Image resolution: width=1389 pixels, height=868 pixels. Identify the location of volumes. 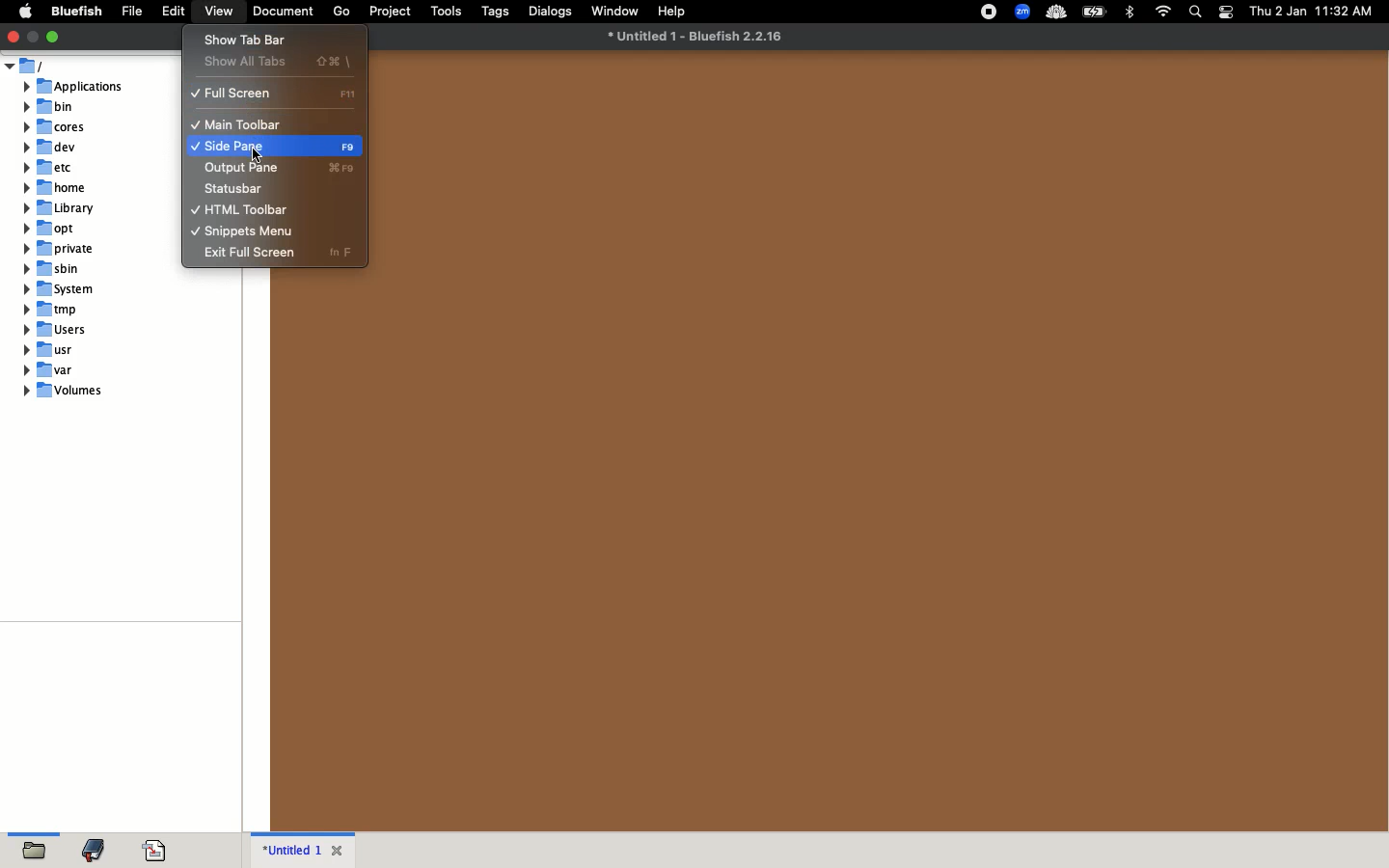
(67, 392).